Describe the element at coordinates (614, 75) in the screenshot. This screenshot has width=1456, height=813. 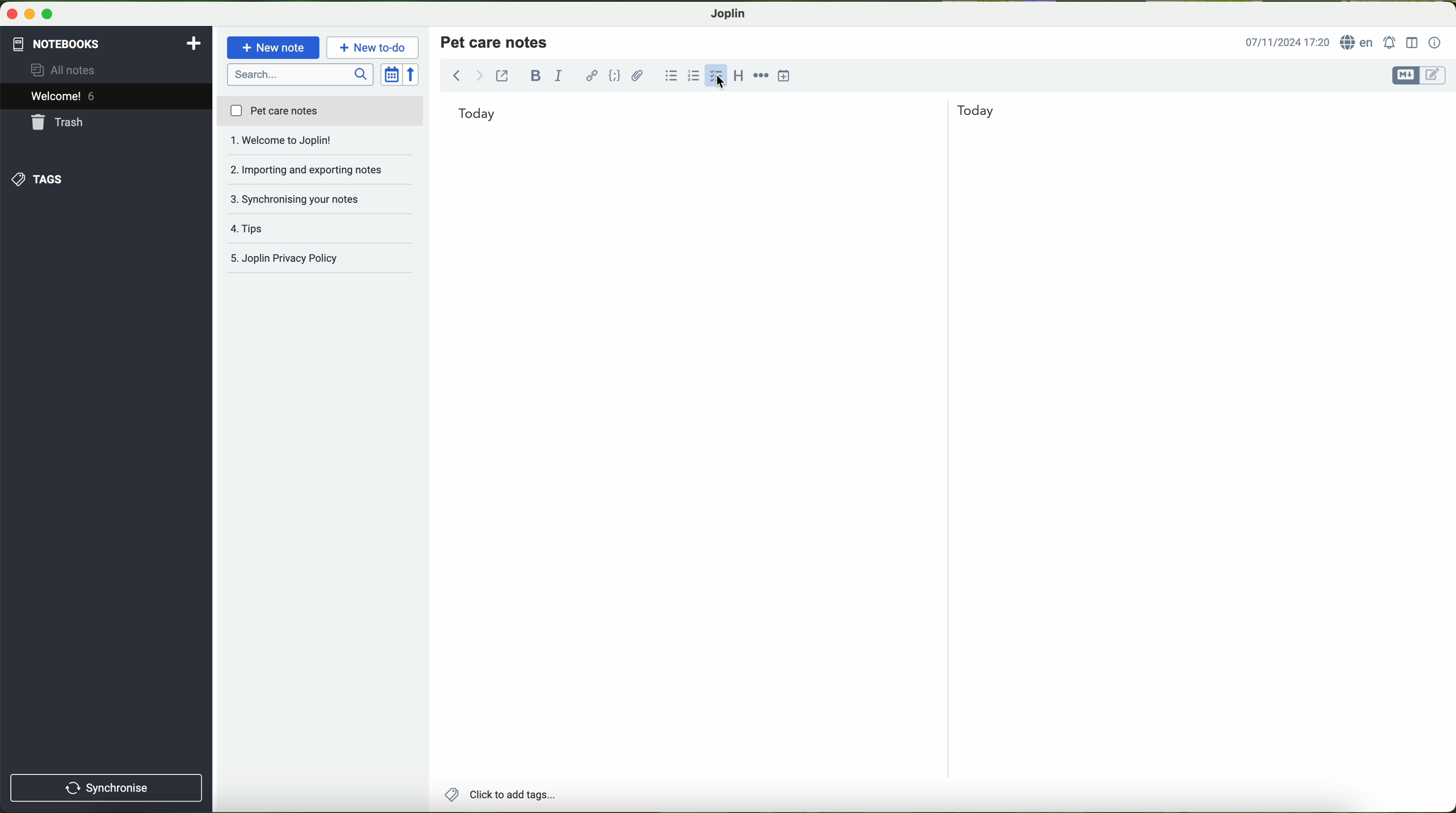
I see `code` at that location.